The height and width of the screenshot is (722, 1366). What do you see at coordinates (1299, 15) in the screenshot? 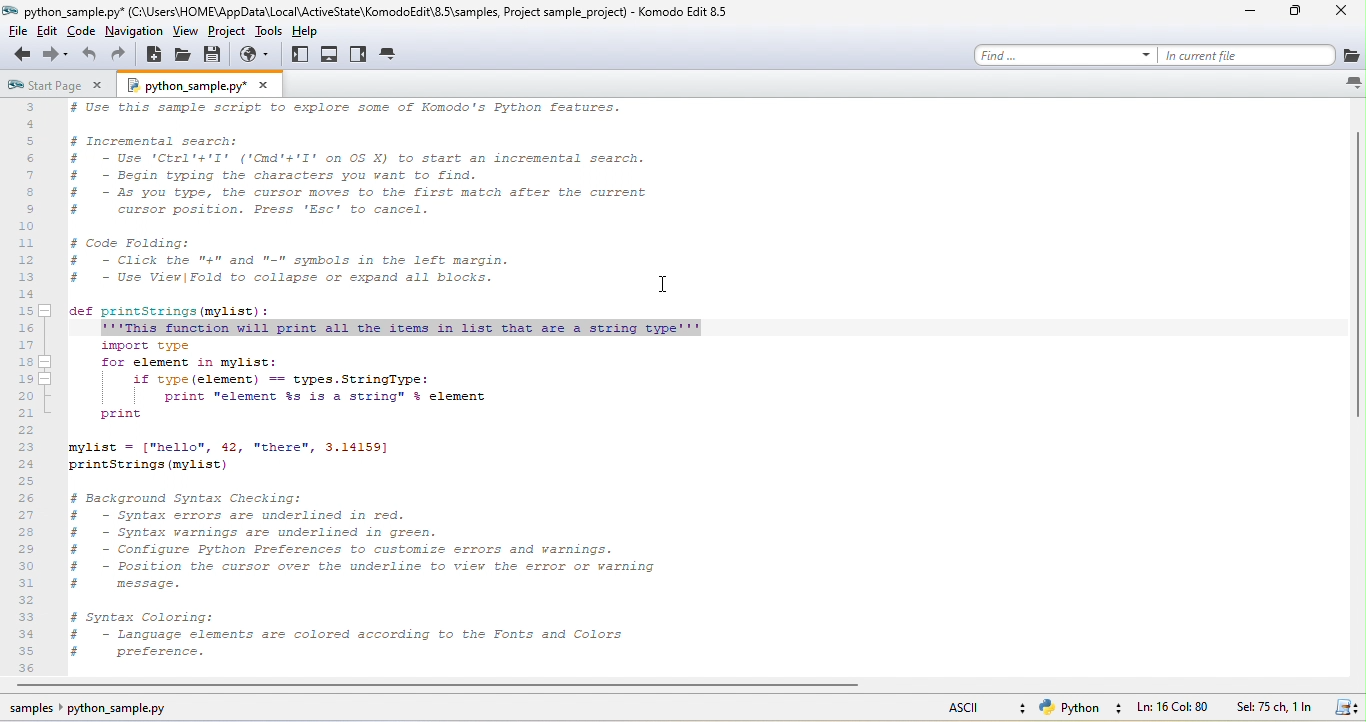
I see `maximize` at bounding box center [1299, 15].